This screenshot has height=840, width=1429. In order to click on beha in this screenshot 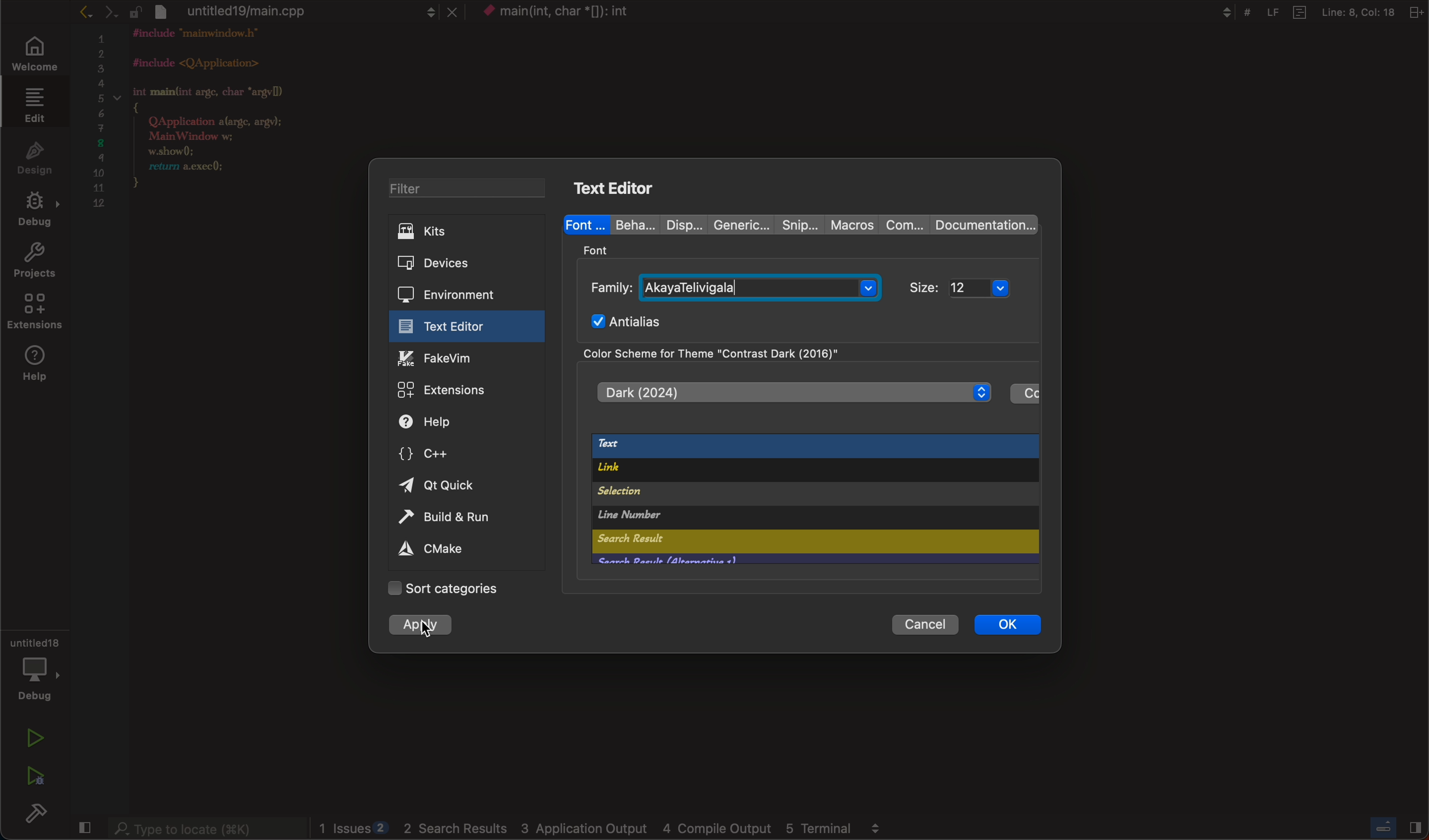, I will do `click(630, 224)`.